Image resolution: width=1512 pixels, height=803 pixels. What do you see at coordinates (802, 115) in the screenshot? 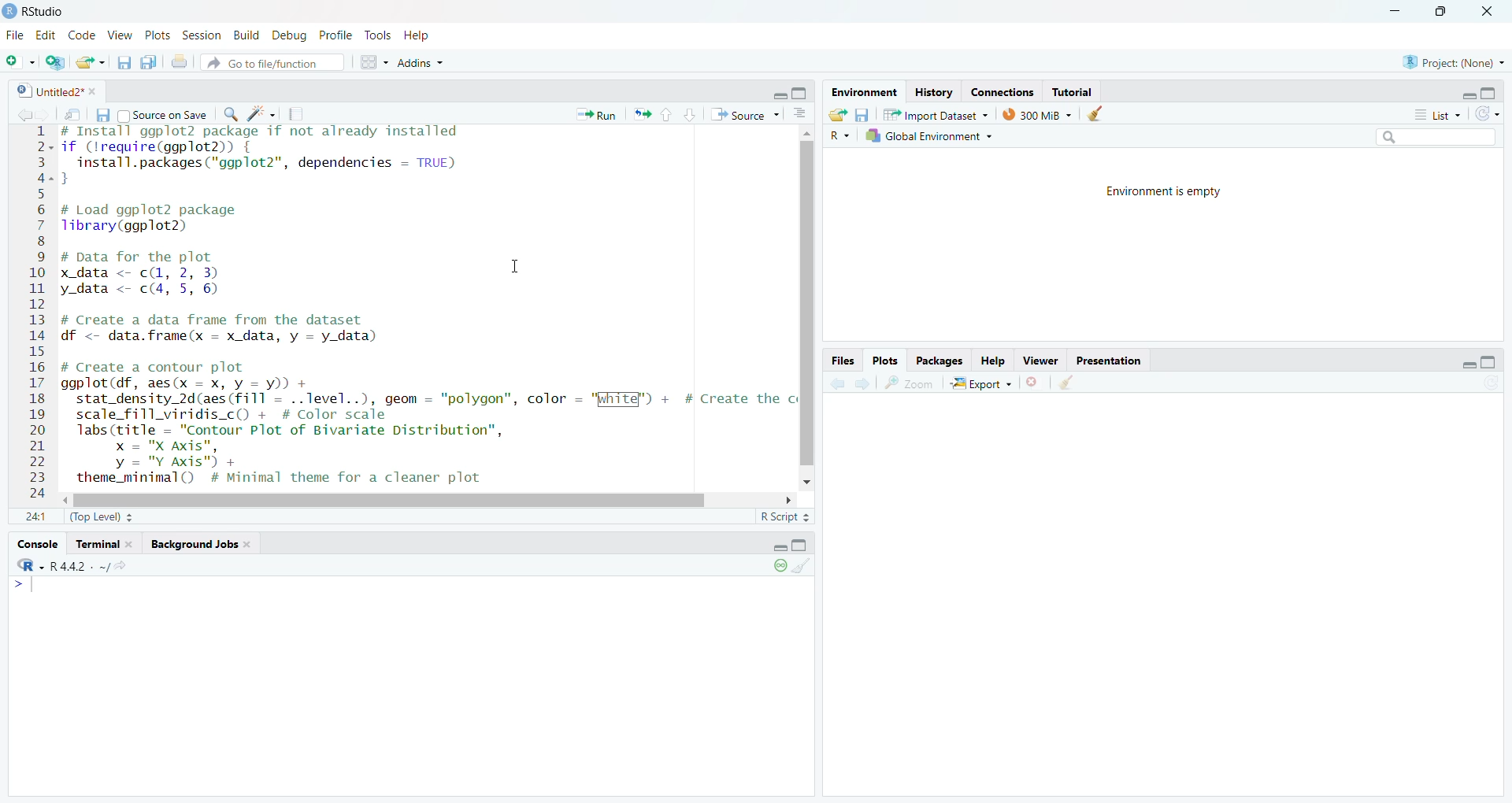
I see `show document outline` at bounding box center [802, 115].